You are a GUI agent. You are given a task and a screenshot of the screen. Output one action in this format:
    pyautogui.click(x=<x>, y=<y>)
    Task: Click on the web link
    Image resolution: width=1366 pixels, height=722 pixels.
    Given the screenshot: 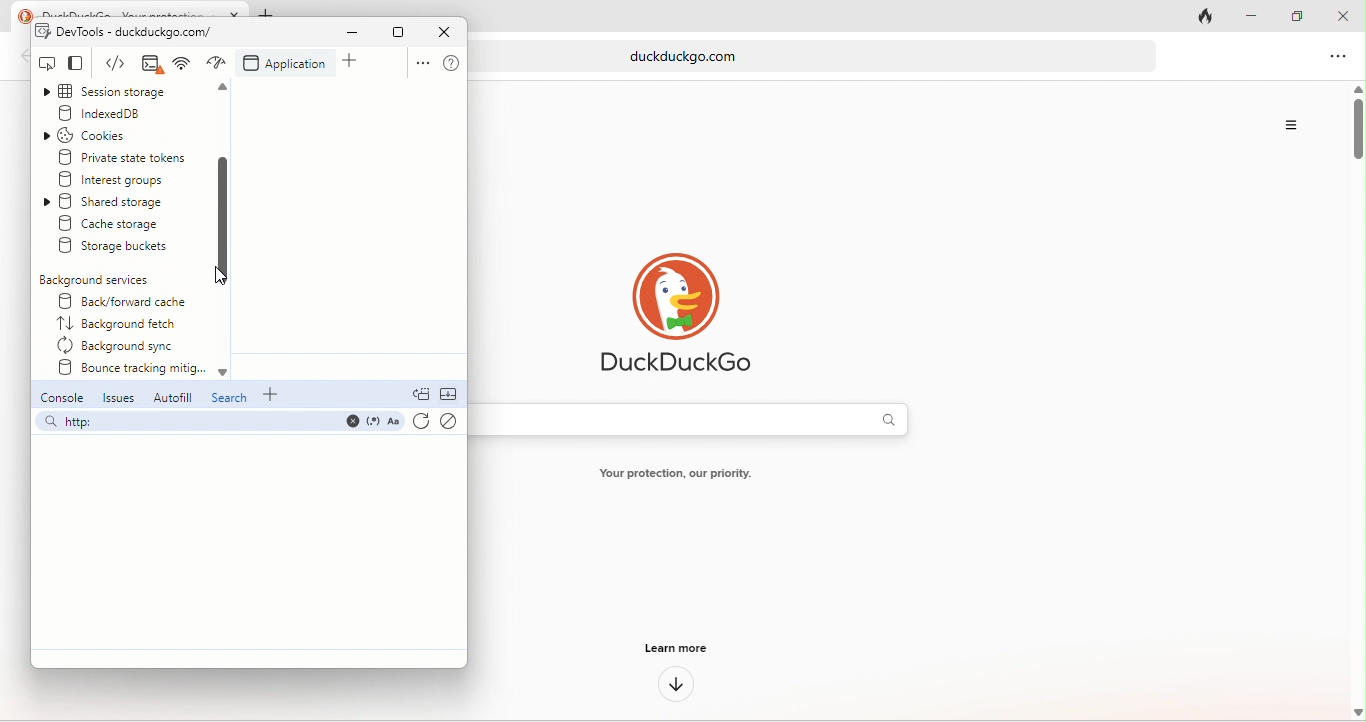 What is the action you would take?
    pyautogui.click(x=822, y=55)
    